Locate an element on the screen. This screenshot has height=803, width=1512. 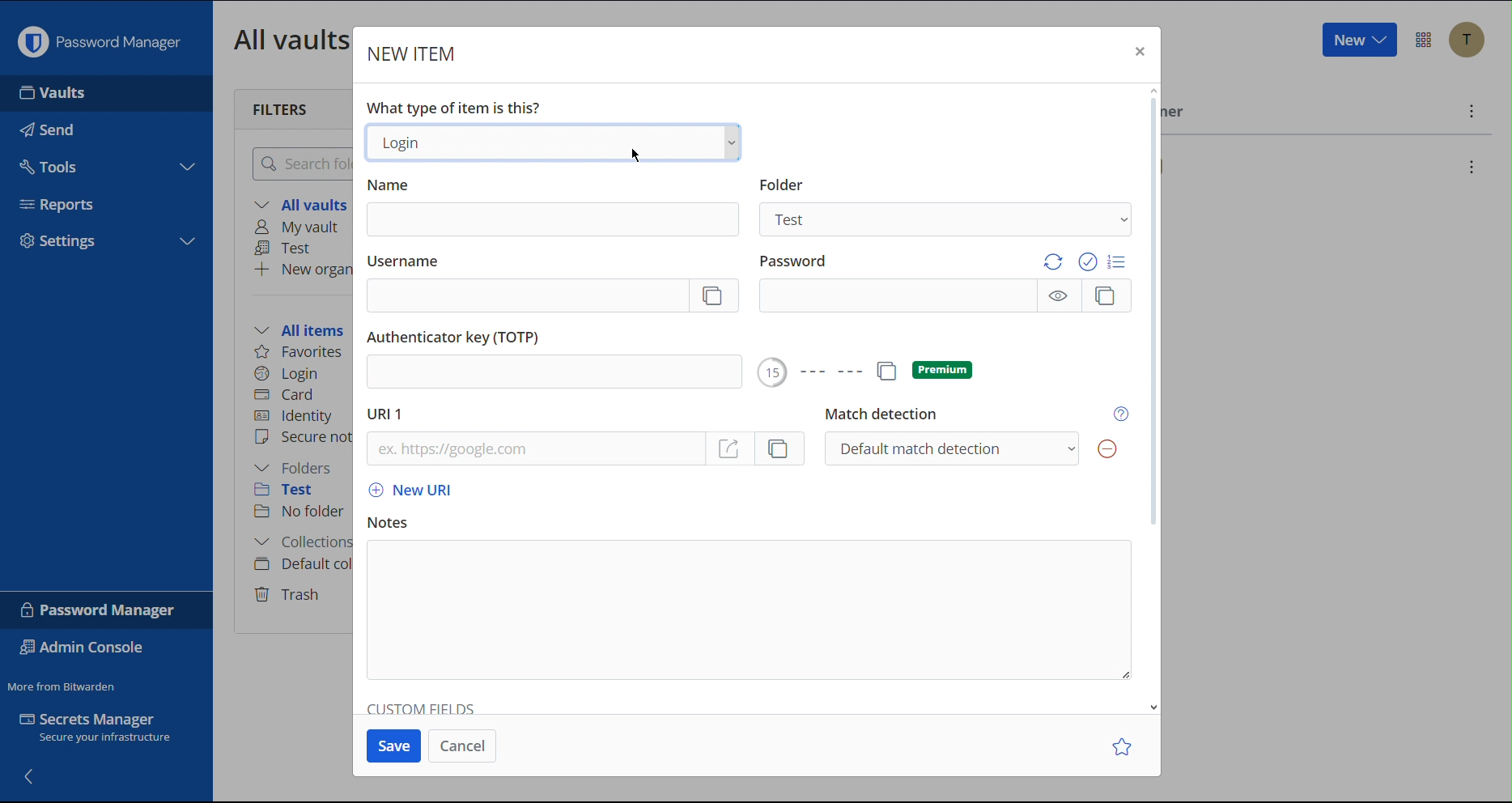
Tools is located at coordinates (109, 166).